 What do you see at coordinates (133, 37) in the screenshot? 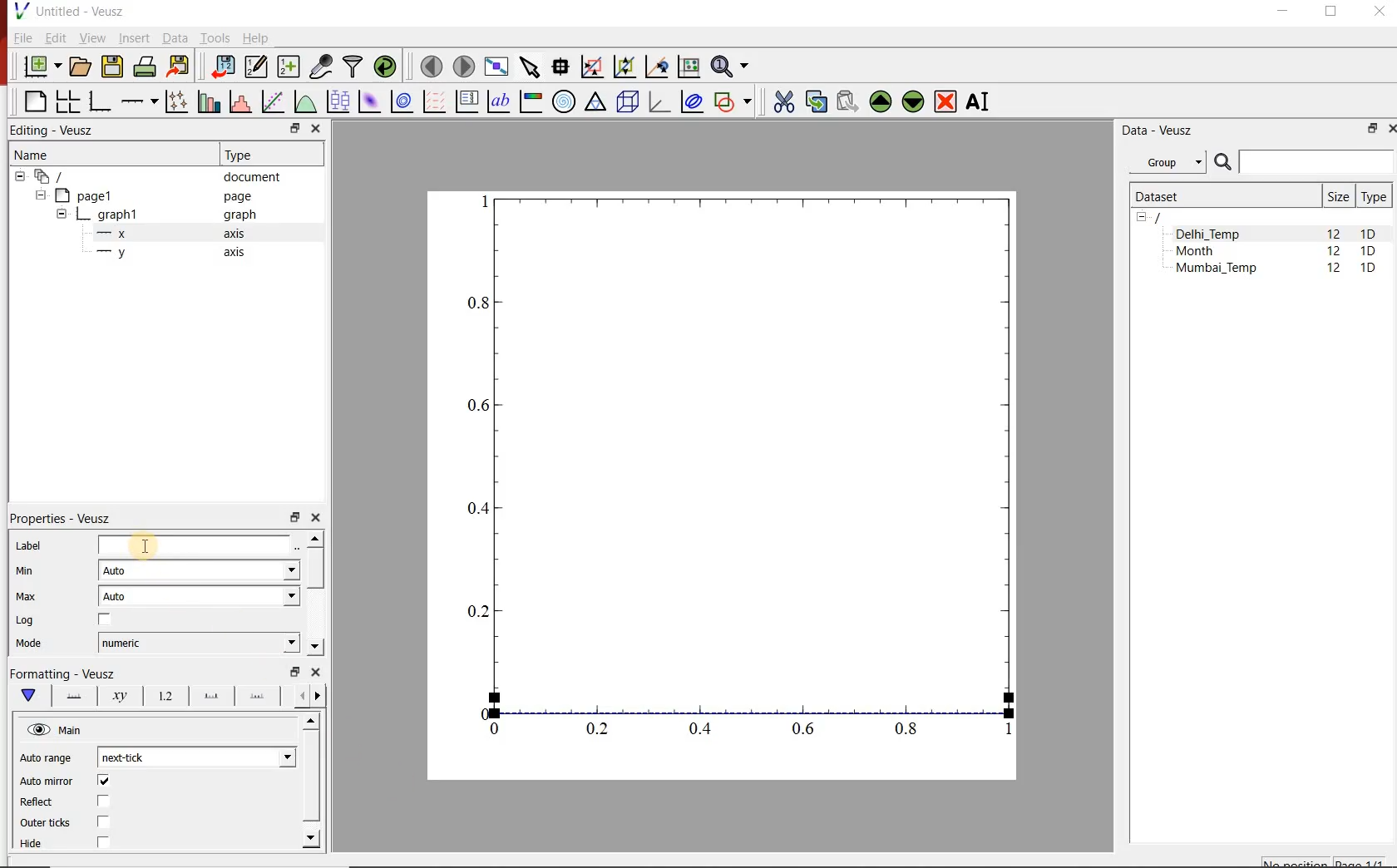
I see `Insert` at bounding box center [133, 37].